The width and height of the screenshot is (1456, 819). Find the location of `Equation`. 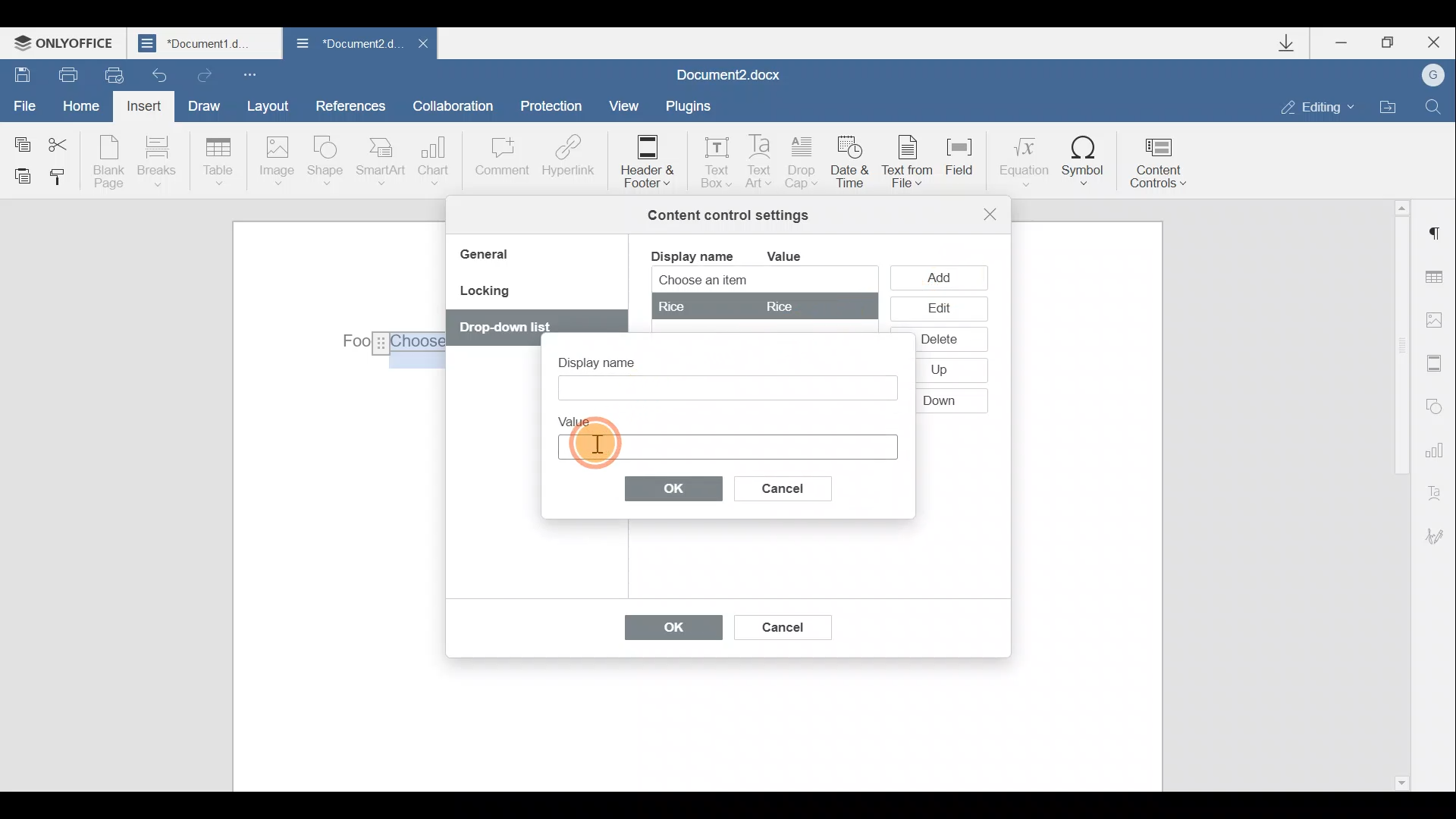

Equation is located at coordinates (1022, 158).